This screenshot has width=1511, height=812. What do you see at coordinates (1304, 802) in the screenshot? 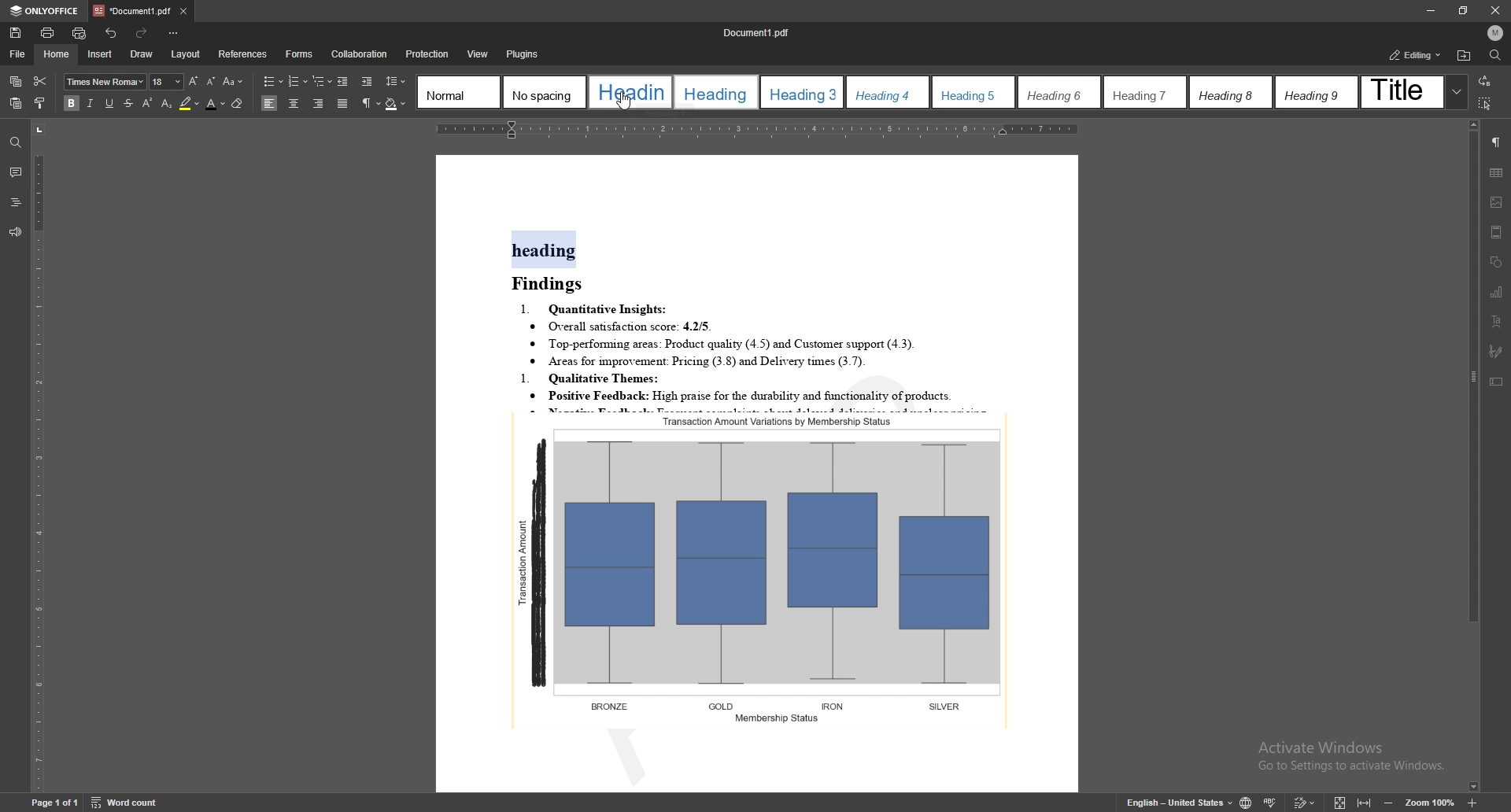
I see `track change` at bounding box center [1304, 802].